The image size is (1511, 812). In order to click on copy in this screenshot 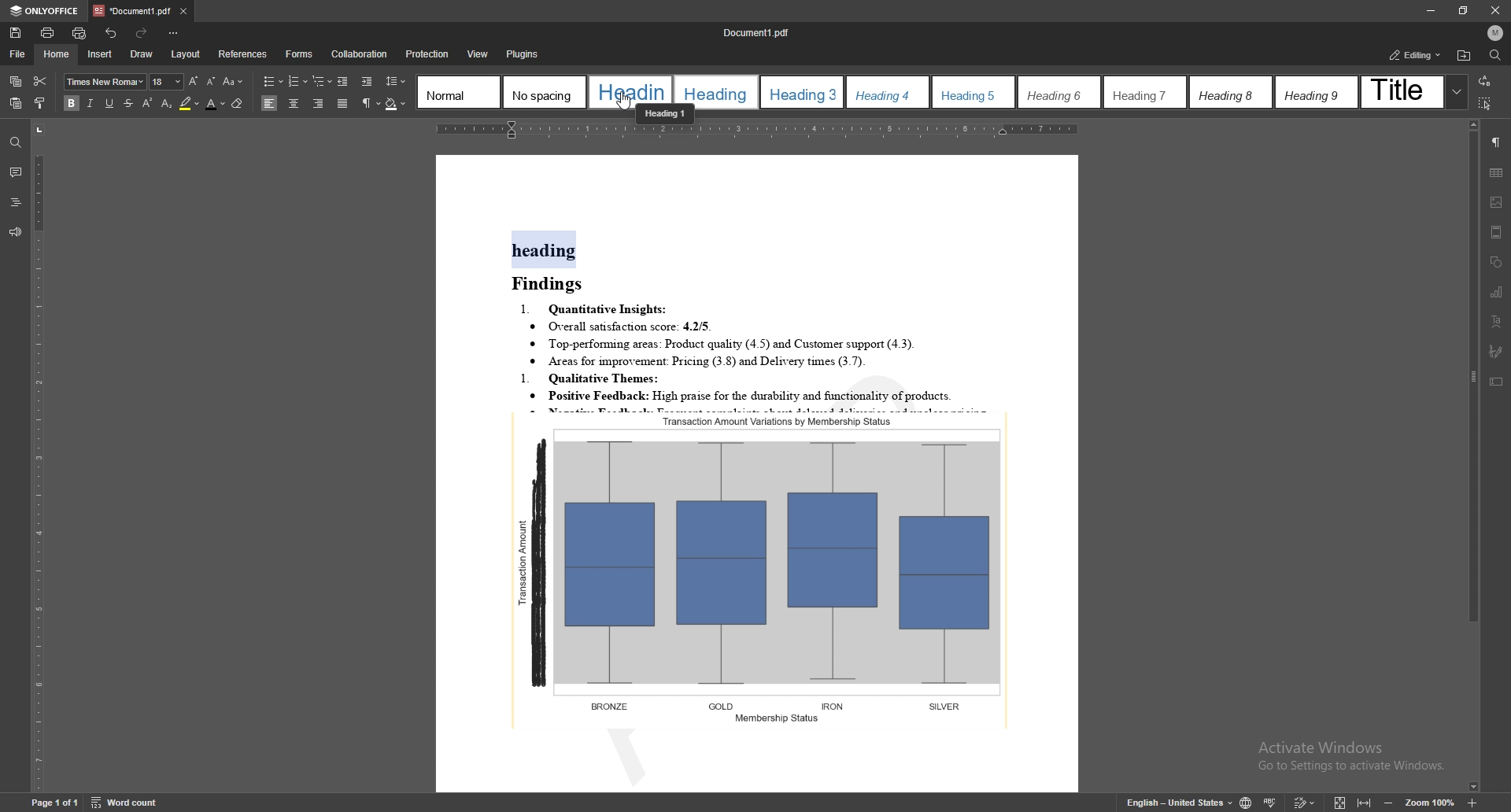, I will do `click(16, 82)`.